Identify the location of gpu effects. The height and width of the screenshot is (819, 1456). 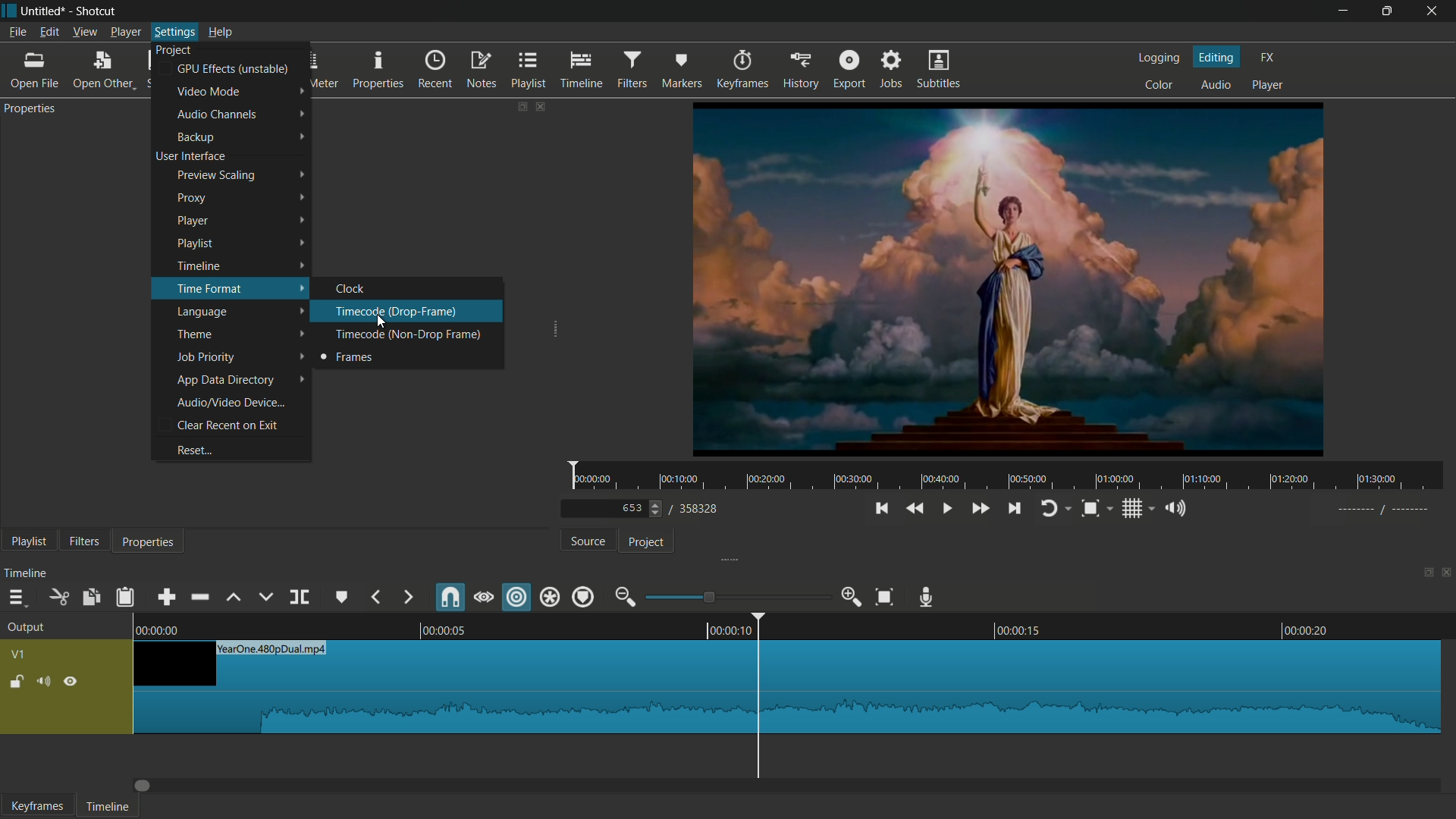
(233, 69).